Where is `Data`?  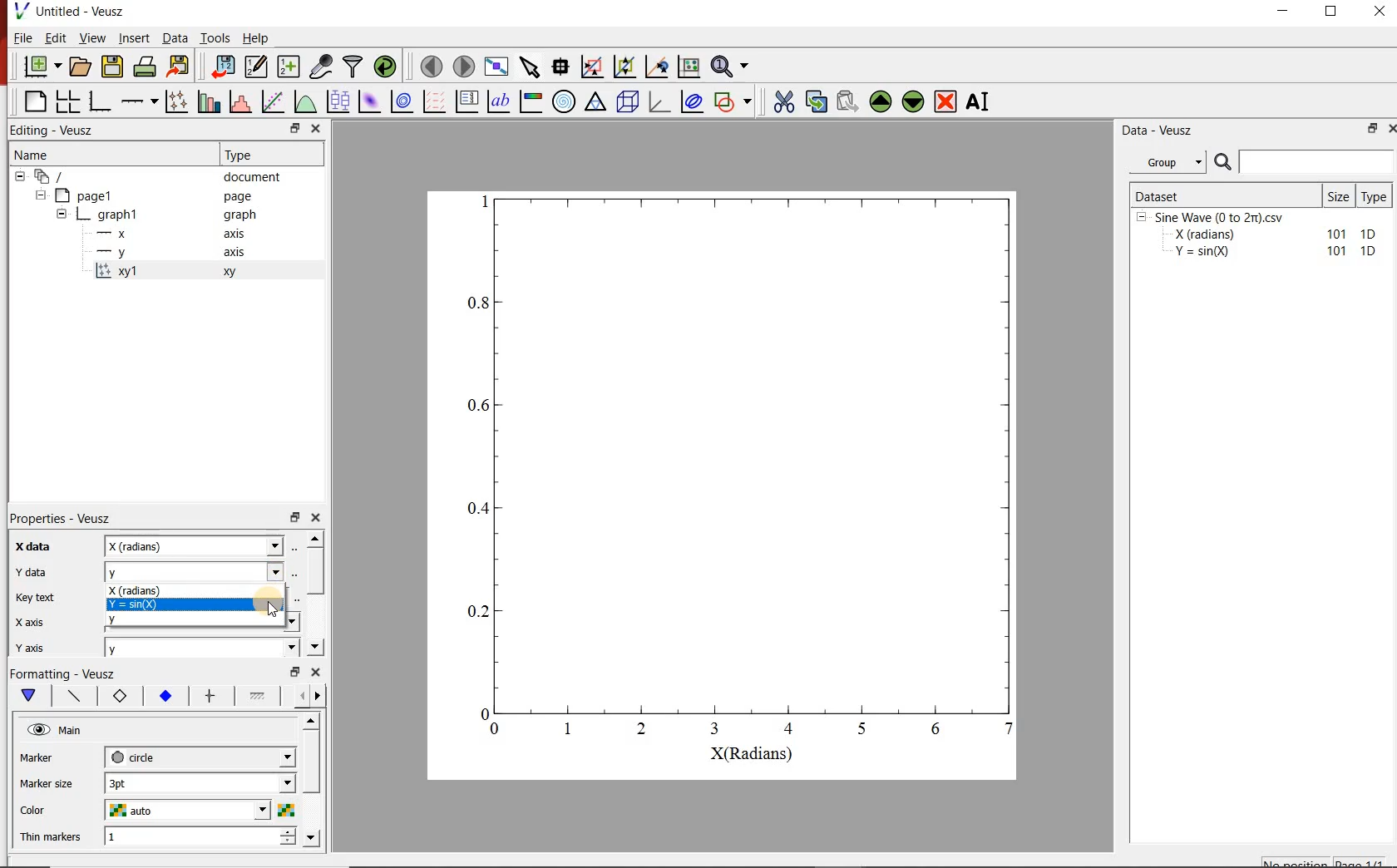 Data is located at coordinates (174, 37).